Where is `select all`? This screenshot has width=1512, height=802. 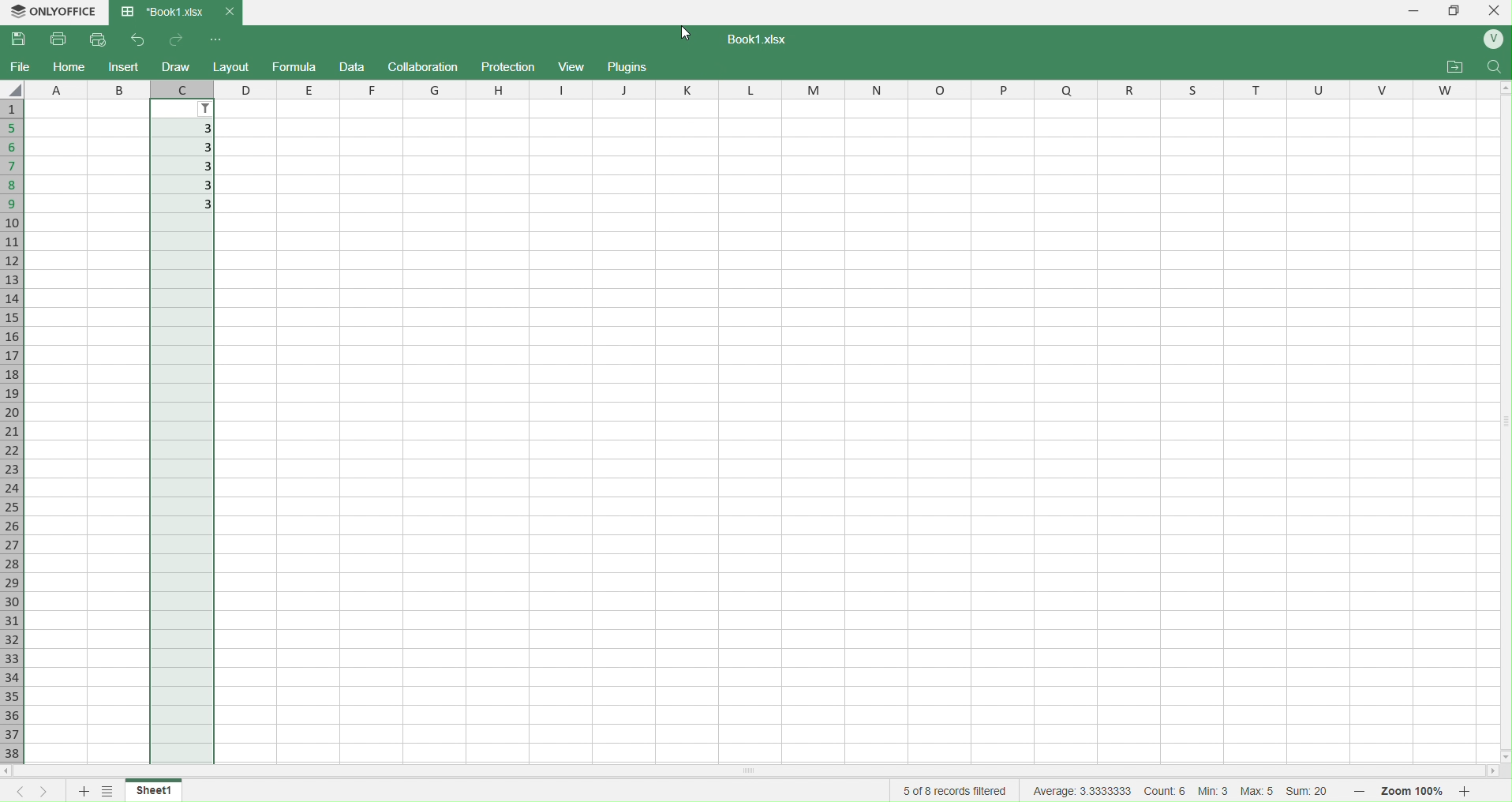 select all is located at coordinates (15, 89).